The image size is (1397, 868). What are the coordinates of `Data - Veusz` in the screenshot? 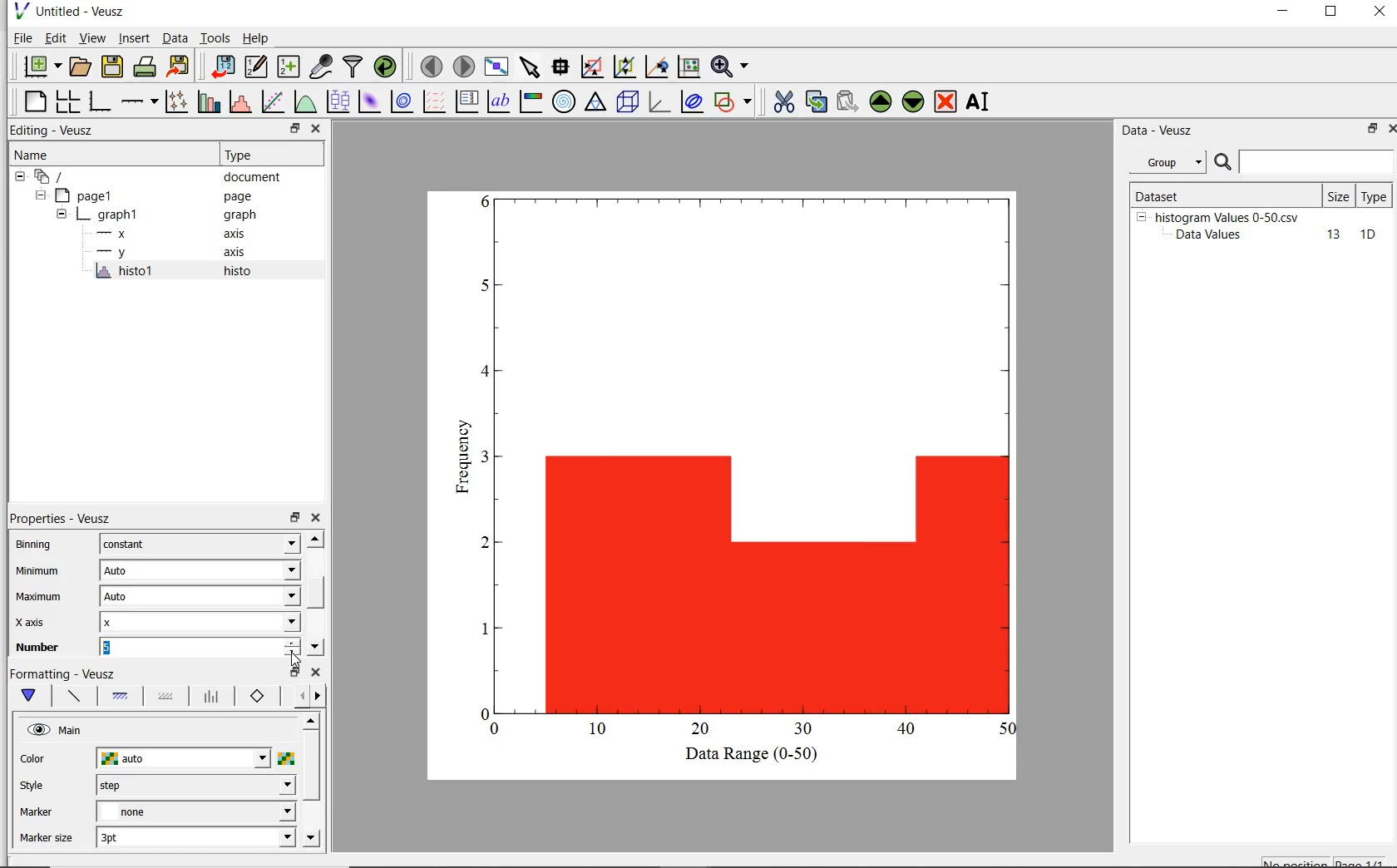 It's located at (1160, 131).